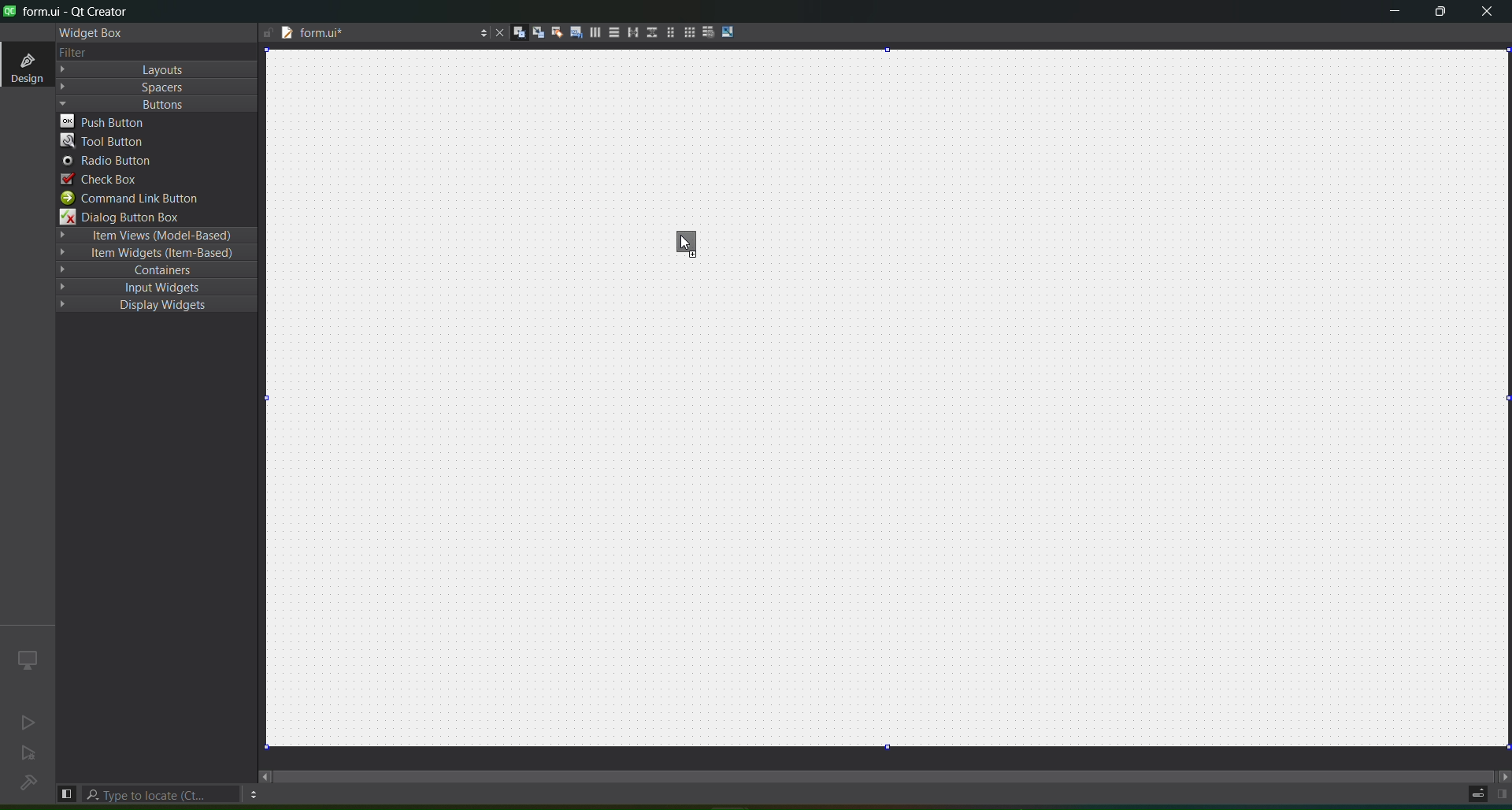 The height and width of the screenshot is (810, 1512). I want to click on layout vertical splitter, so click(650, 33).